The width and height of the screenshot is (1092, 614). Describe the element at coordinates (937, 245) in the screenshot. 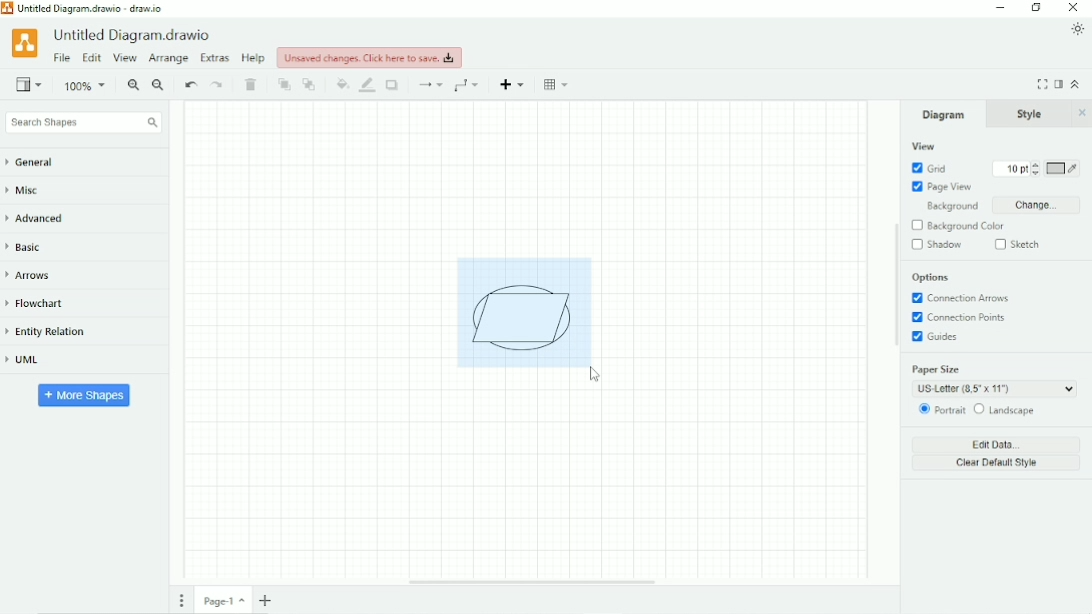

I see `Shadow` at that location.